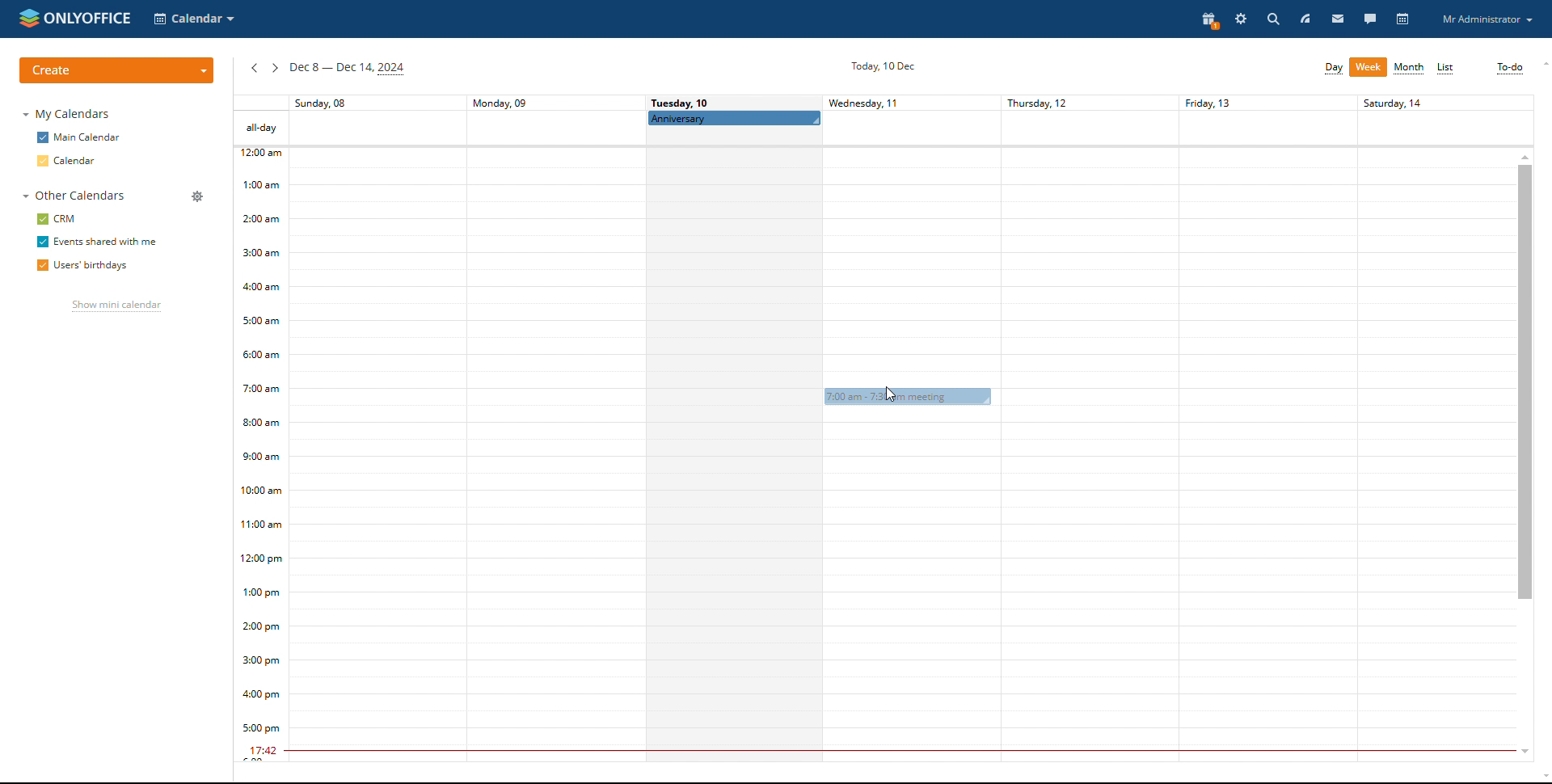 The image size is (1552, 784). Describe the element at coordinates (75, 18) in the screenshot. I see `logo` at that location.